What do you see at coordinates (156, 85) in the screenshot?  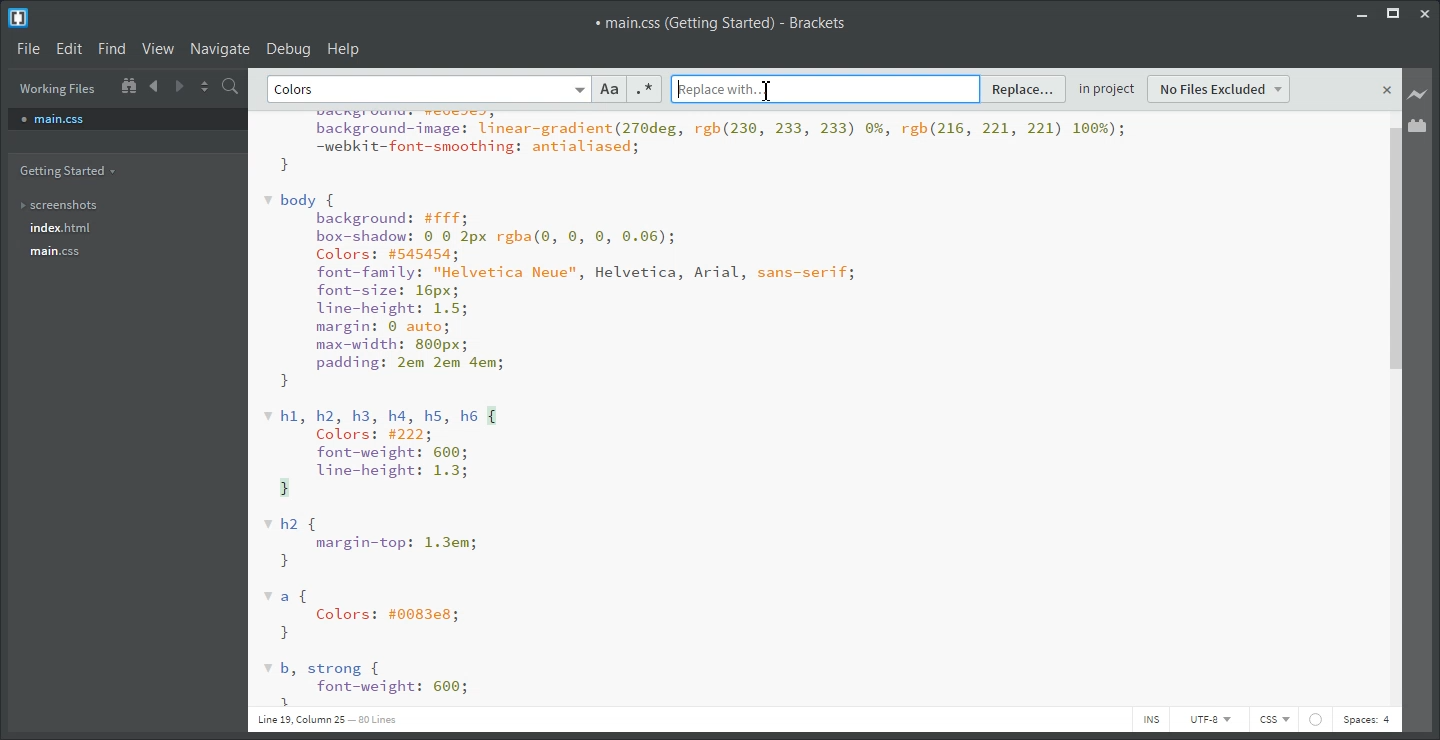 I see `Navigate Backward` at bounding box center [156, 85].